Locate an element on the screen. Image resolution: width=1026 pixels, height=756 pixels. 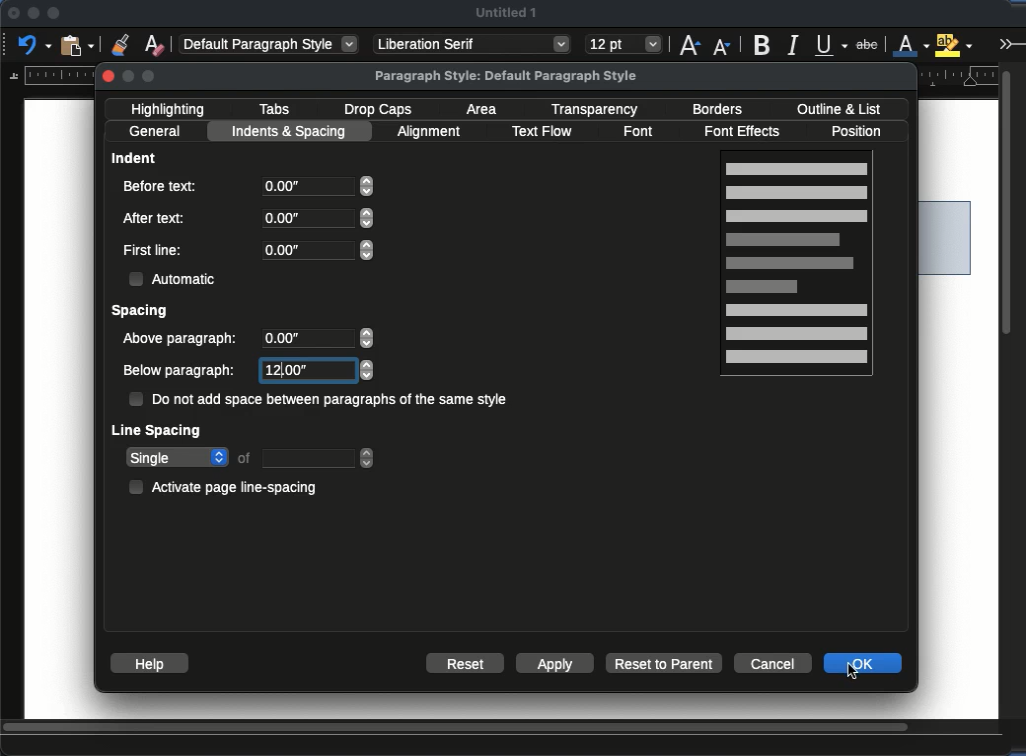
reset is located at coordinates (466, 662).